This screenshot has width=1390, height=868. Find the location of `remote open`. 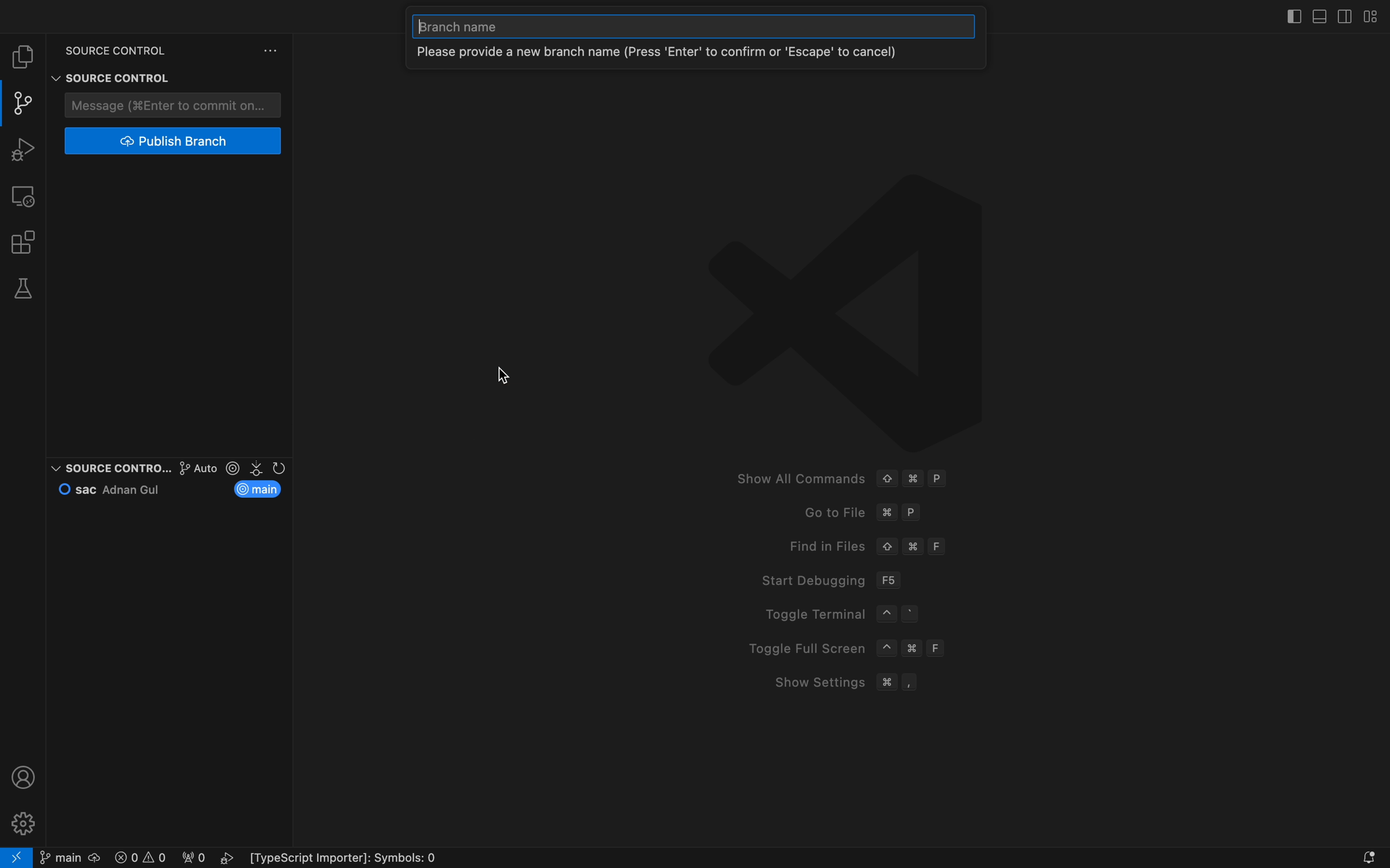

remote open is located at coordinates (17, 857).